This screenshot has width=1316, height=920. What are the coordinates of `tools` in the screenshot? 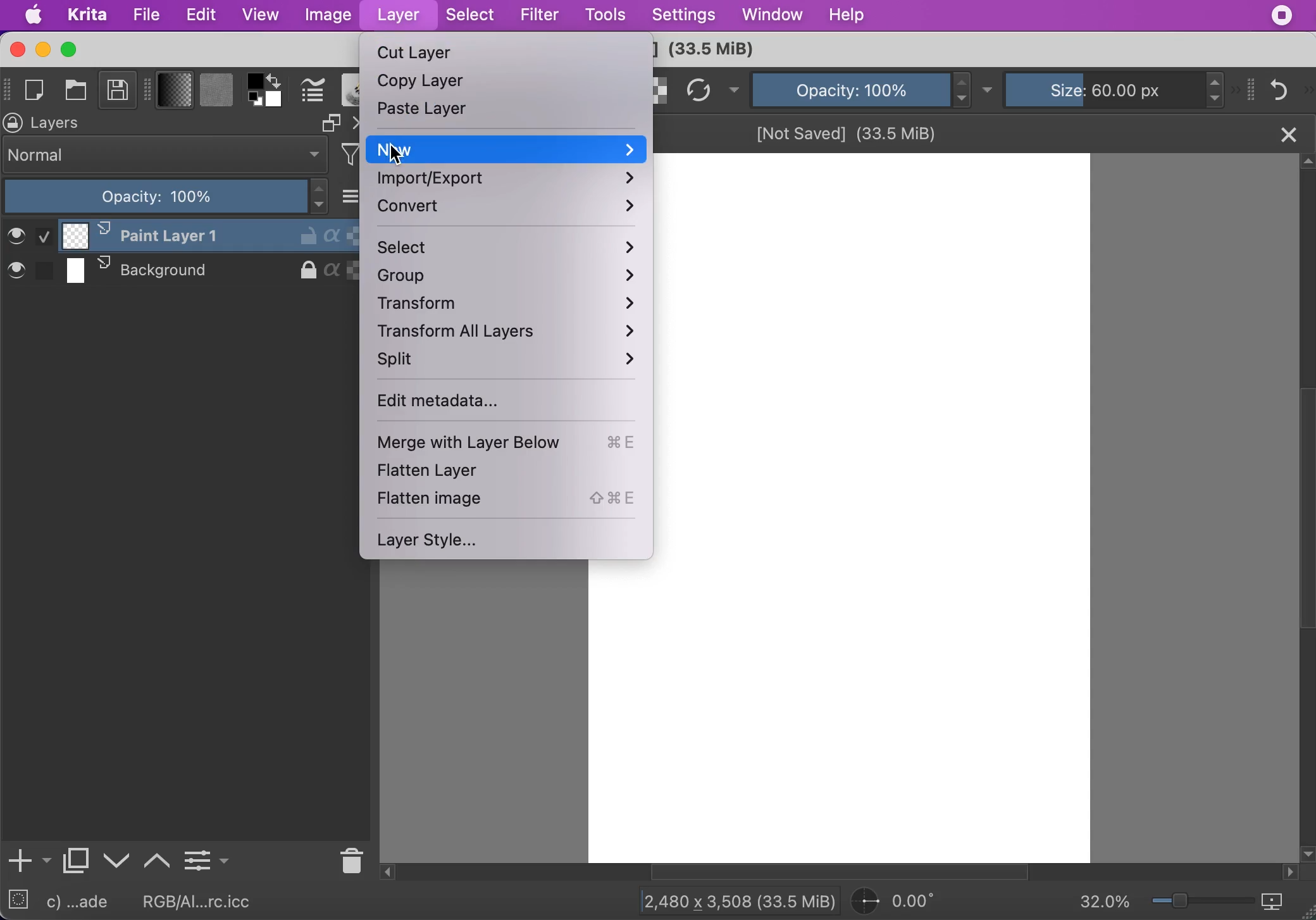 It's located at (605, 16).